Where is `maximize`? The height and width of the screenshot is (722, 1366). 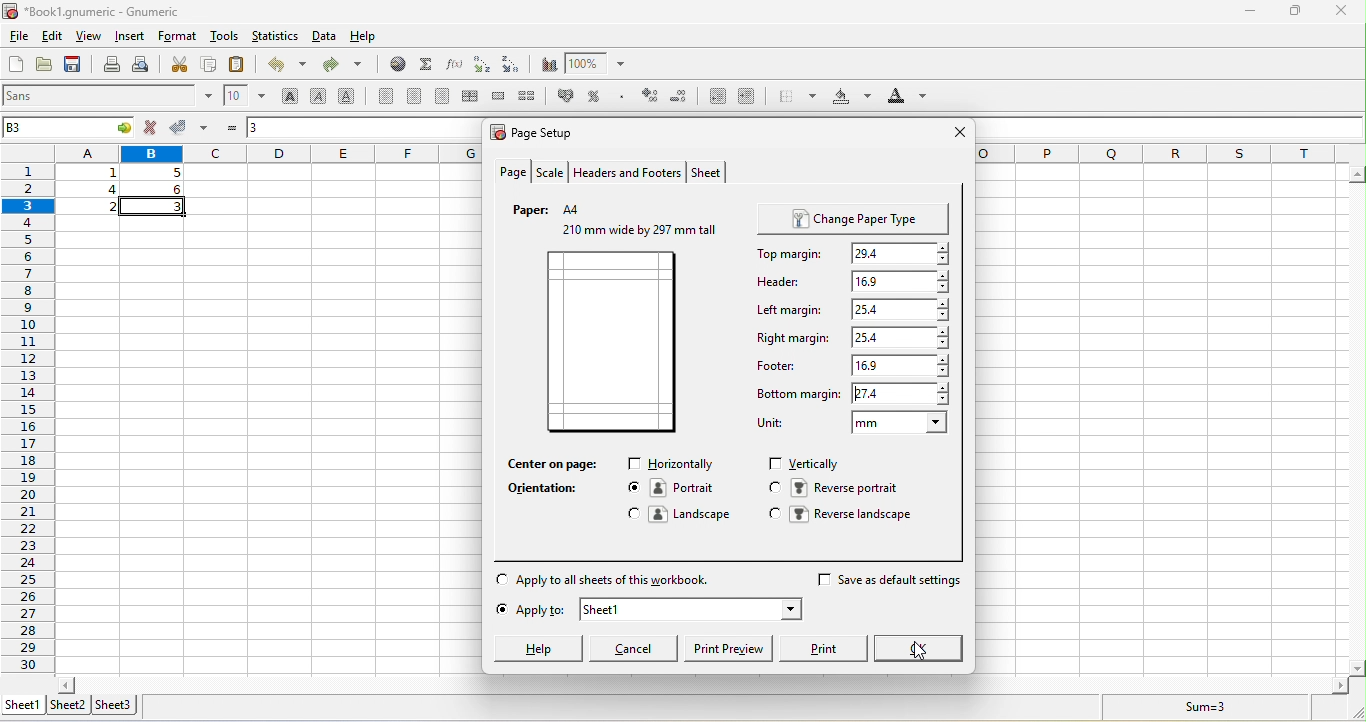
maximize is located at coordinates (1291, 11).